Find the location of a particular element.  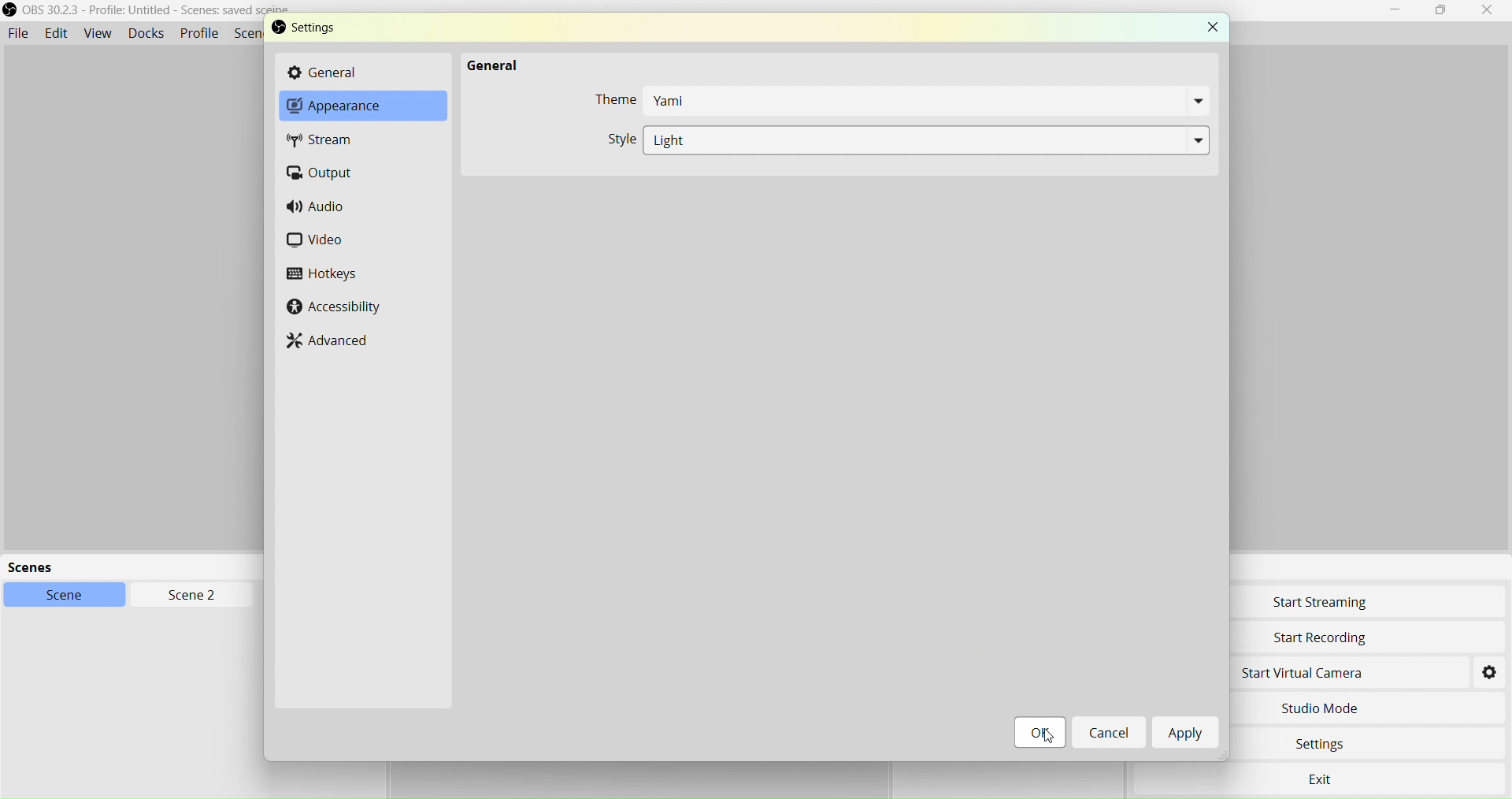

Hotkeys is located at coordinates (324, 276).